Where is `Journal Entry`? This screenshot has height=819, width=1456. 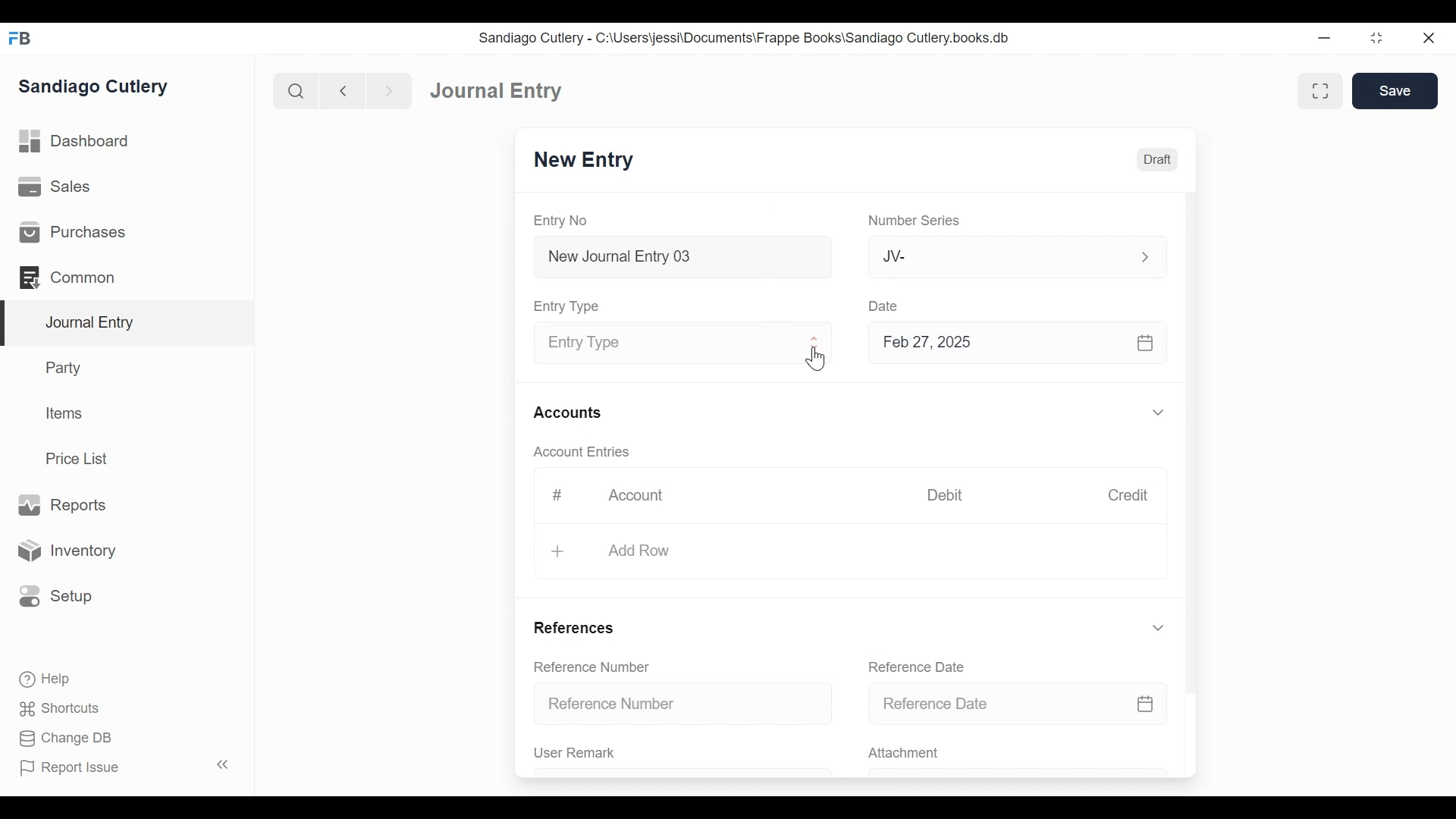
Journal Entry is located at coordinates (498, 91).